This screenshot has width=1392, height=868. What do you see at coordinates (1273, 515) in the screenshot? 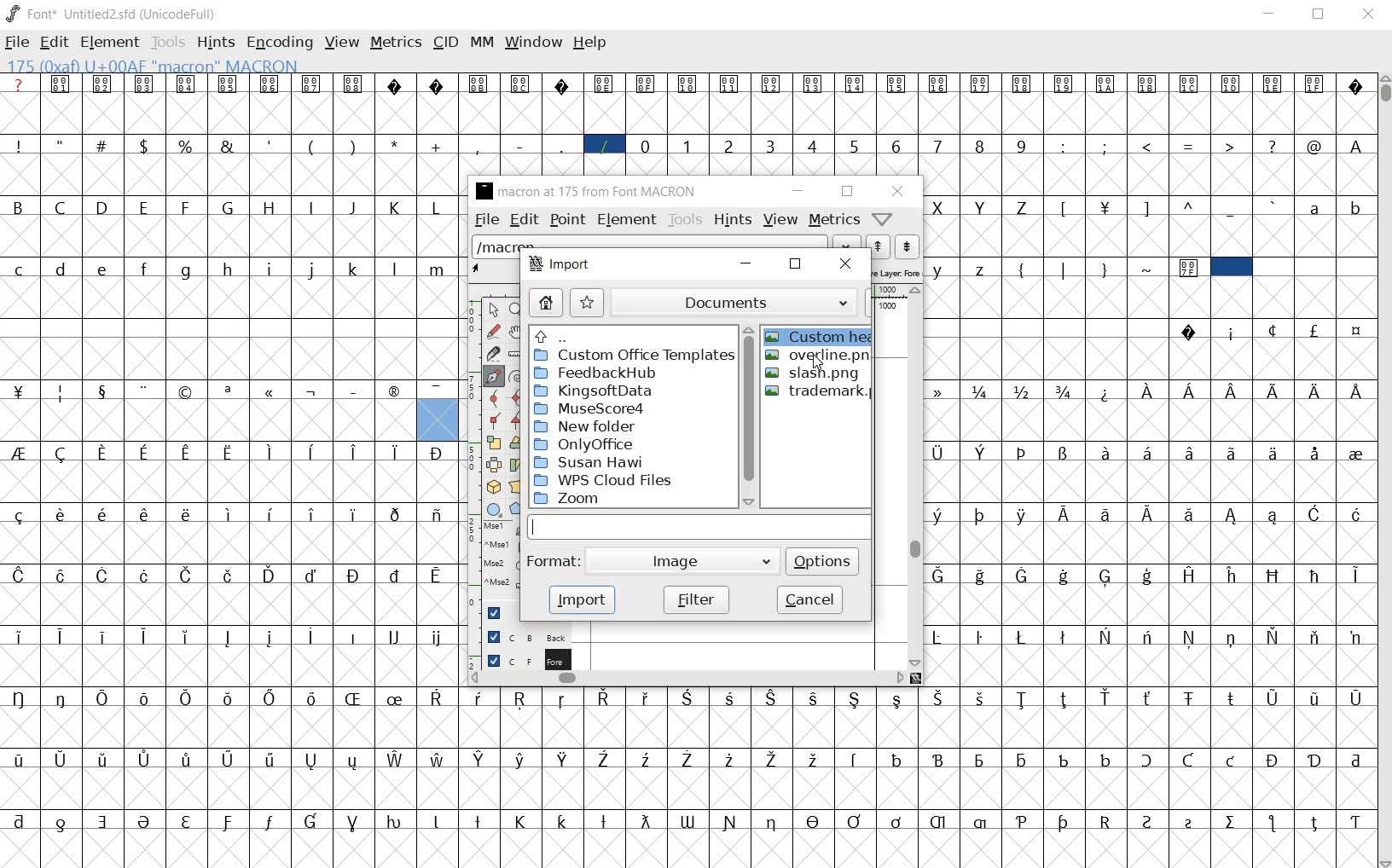
I see `Symbol` at bounding box center [1273, 515].